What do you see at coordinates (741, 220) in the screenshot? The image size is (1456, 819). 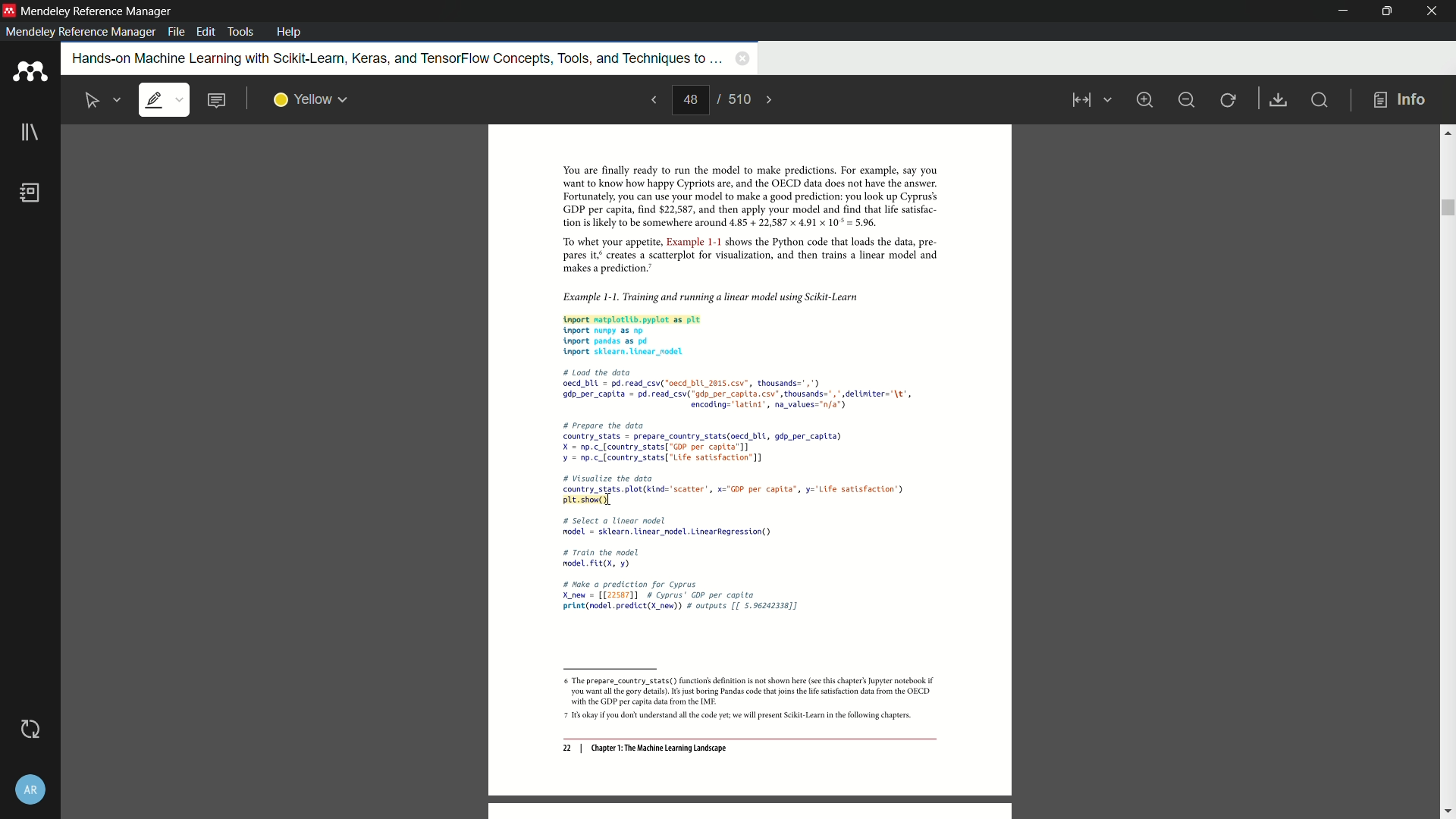 I see `You are finally ready to run the model to make predictions. For example, say you
want to know how happy Cypriots are, and the OECD data does not have the answer.
Fortunately, you can use your model to make a good prediction: you look up Cyprus’
GDP per capita, find $22,587, and then apply your model and find that life satsfac-
tion is likely to be somewhere around 4.85 + 22,587 x 4.91 x 10° = 5.96.

“To whet your appetite, Example 1-1 shows the Python code that loads the data, pre
pares it creates a scatterplot for visualization, and then trains a linear model and
‘makes a prediction.”` at bounding box center [741, 220].